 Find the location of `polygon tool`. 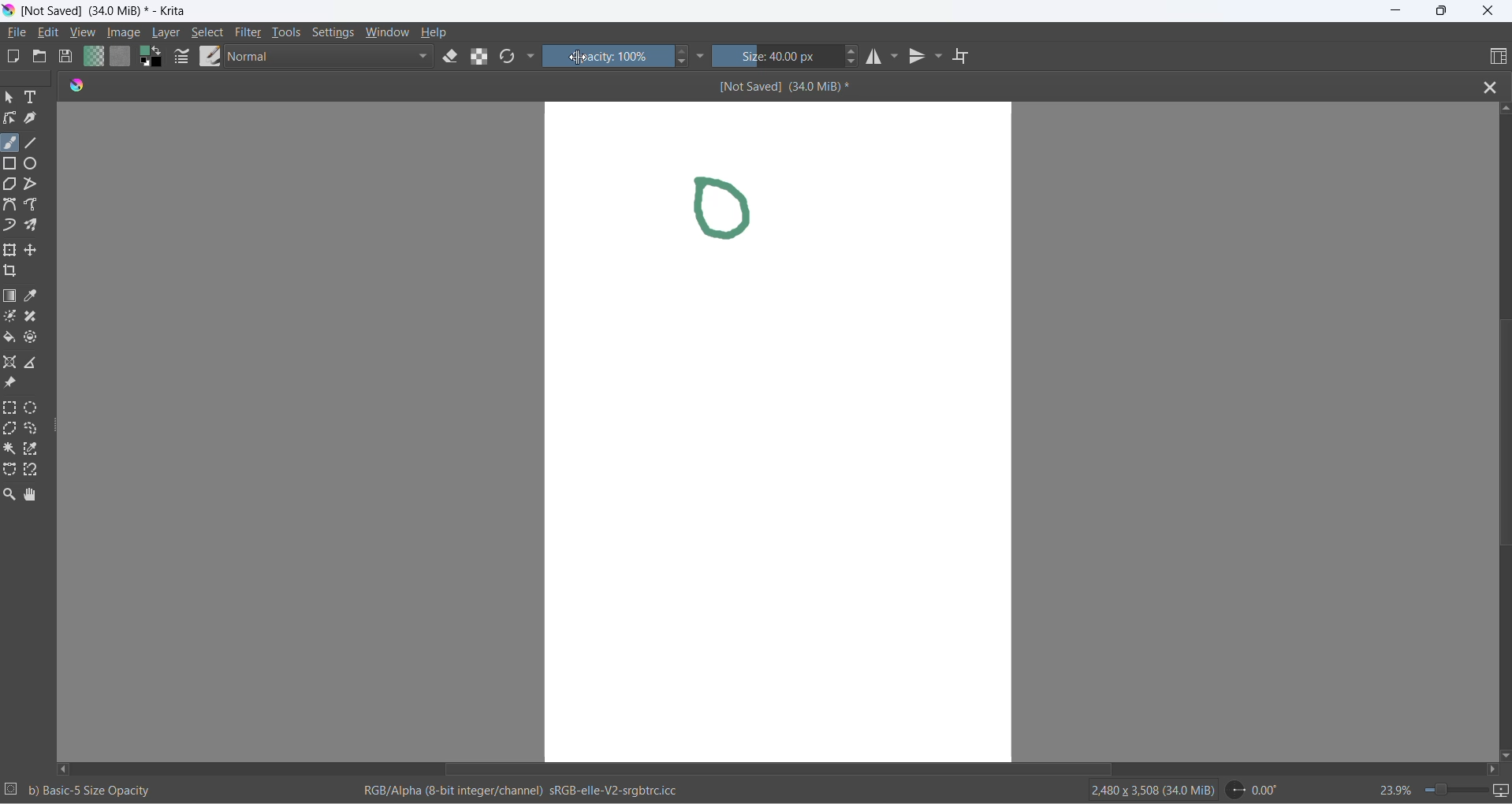

polygon tool is located at coordinates (10, 185).